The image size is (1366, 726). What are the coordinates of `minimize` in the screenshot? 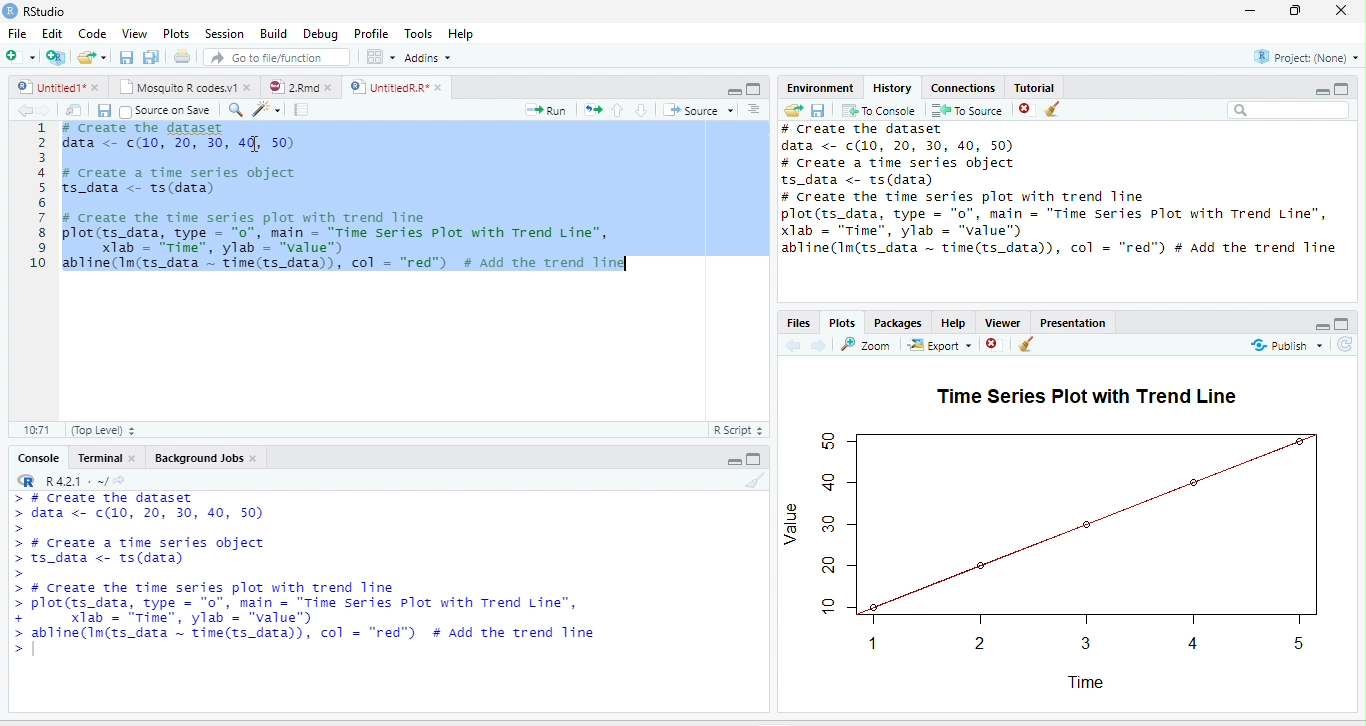 It's located at (1250, 11).